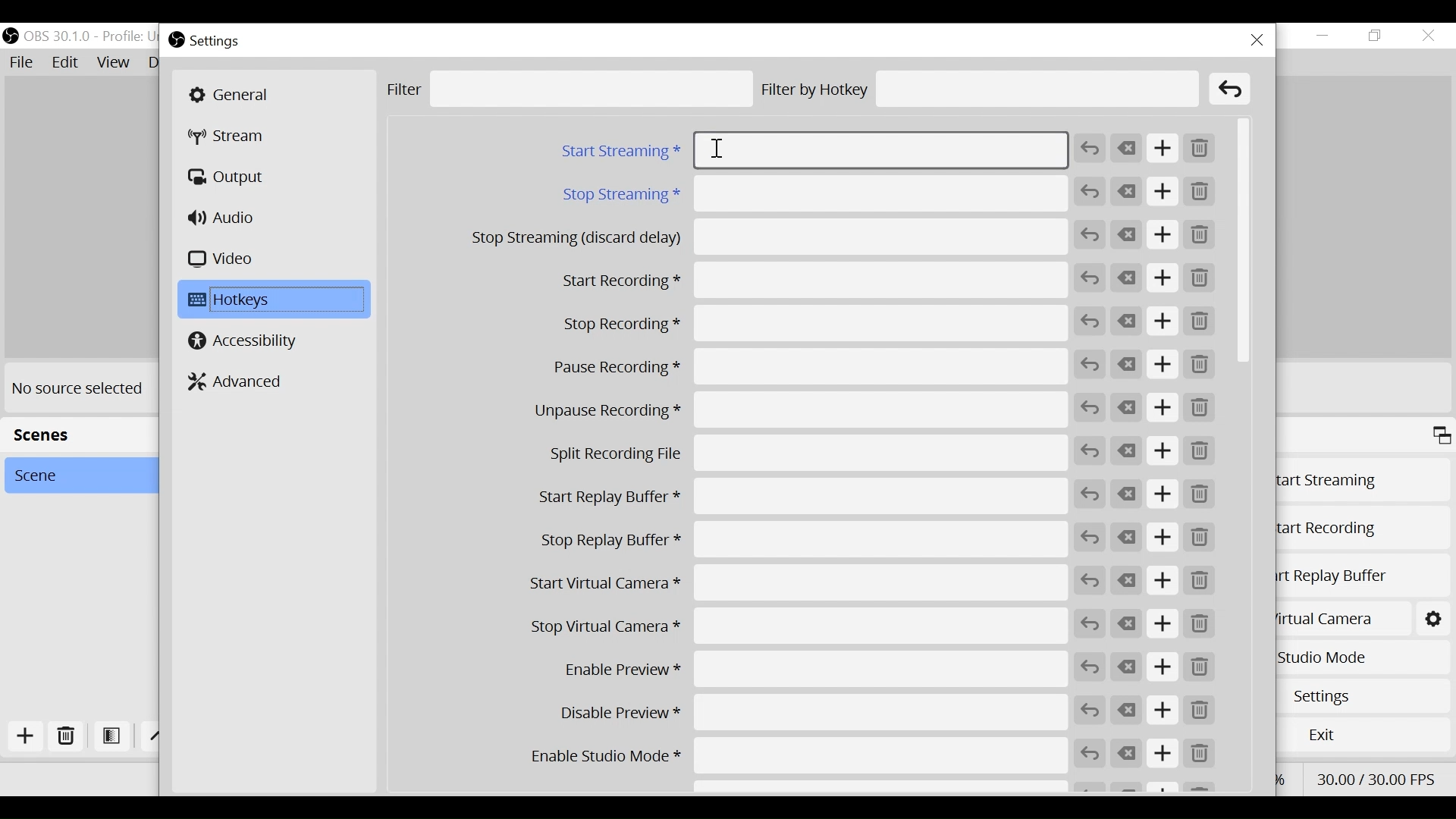 This screenshot has height=819, width=1456. Describe the element at coordinates (1090, 406) in the screenshot. I see `Revert` at that location.